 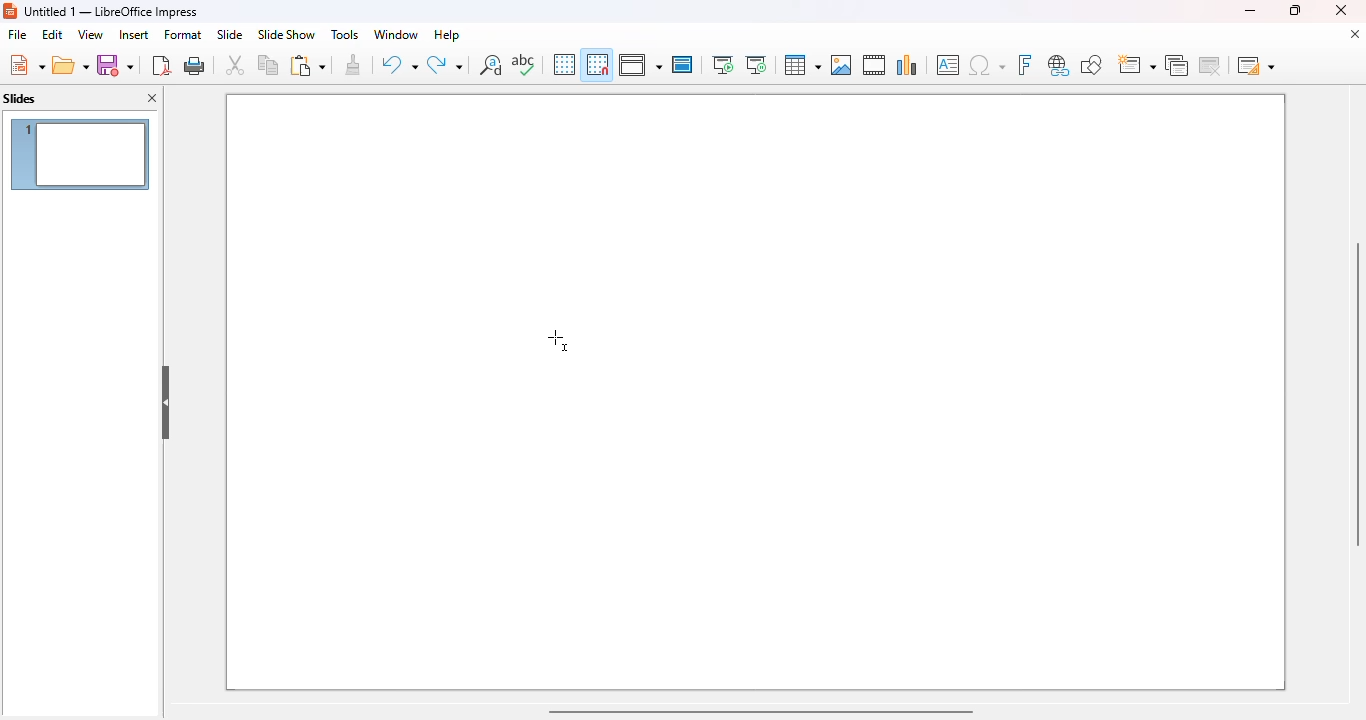 I want to click on close pane, so click(x=154, y=99).